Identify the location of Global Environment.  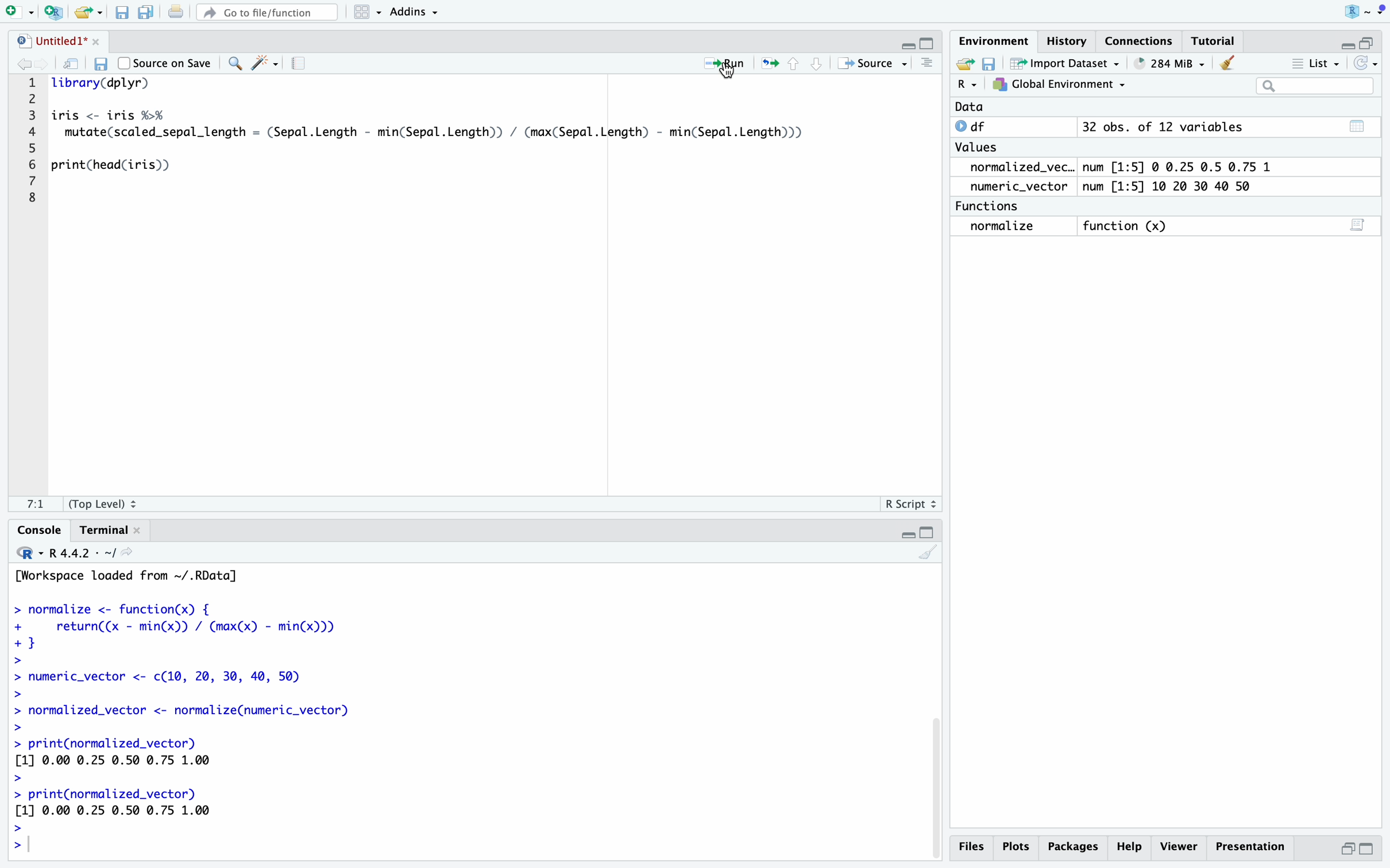
(1060, 85).